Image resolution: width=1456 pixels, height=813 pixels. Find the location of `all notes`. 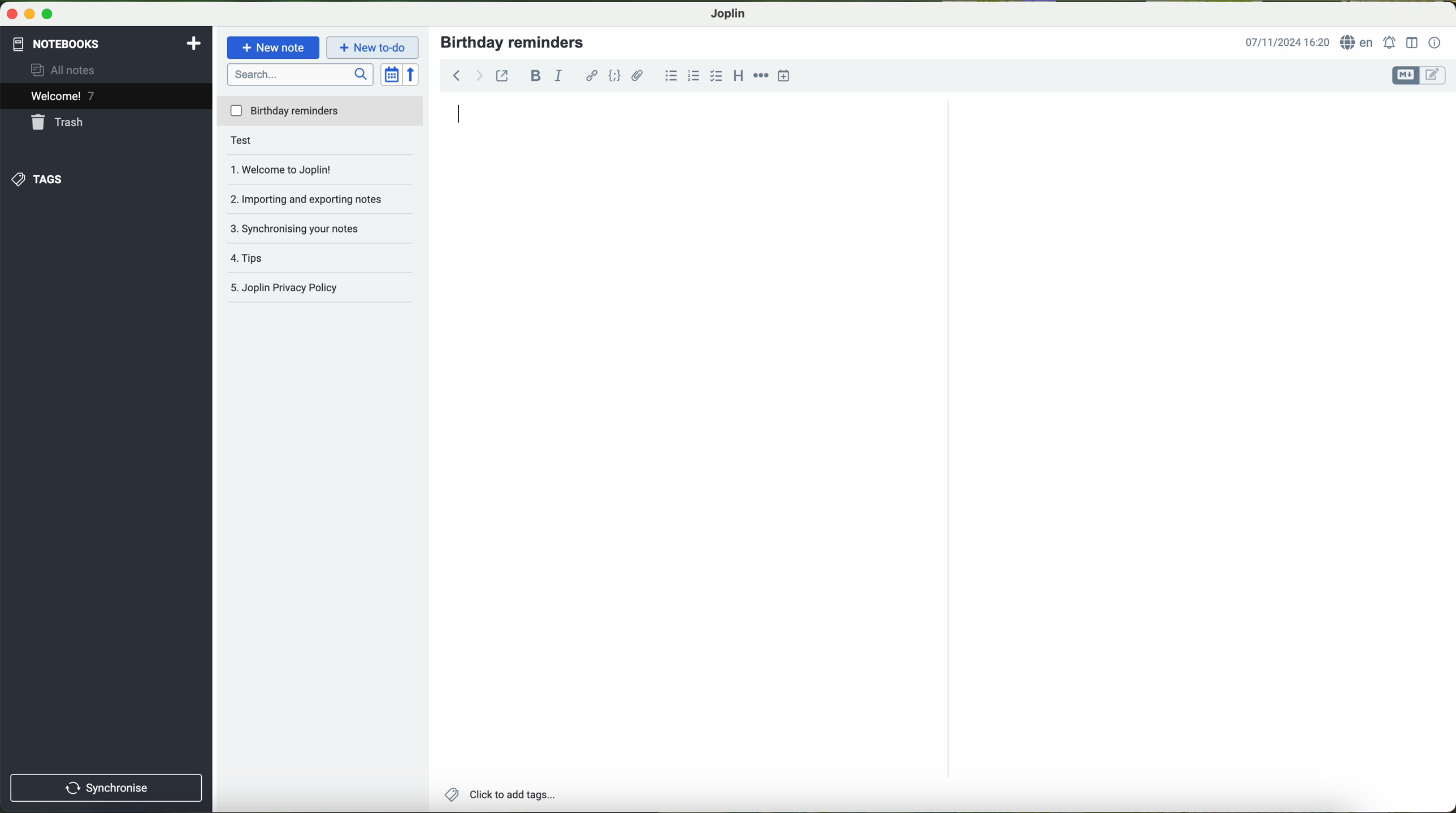

all notes is located at coordinates (75, 71).